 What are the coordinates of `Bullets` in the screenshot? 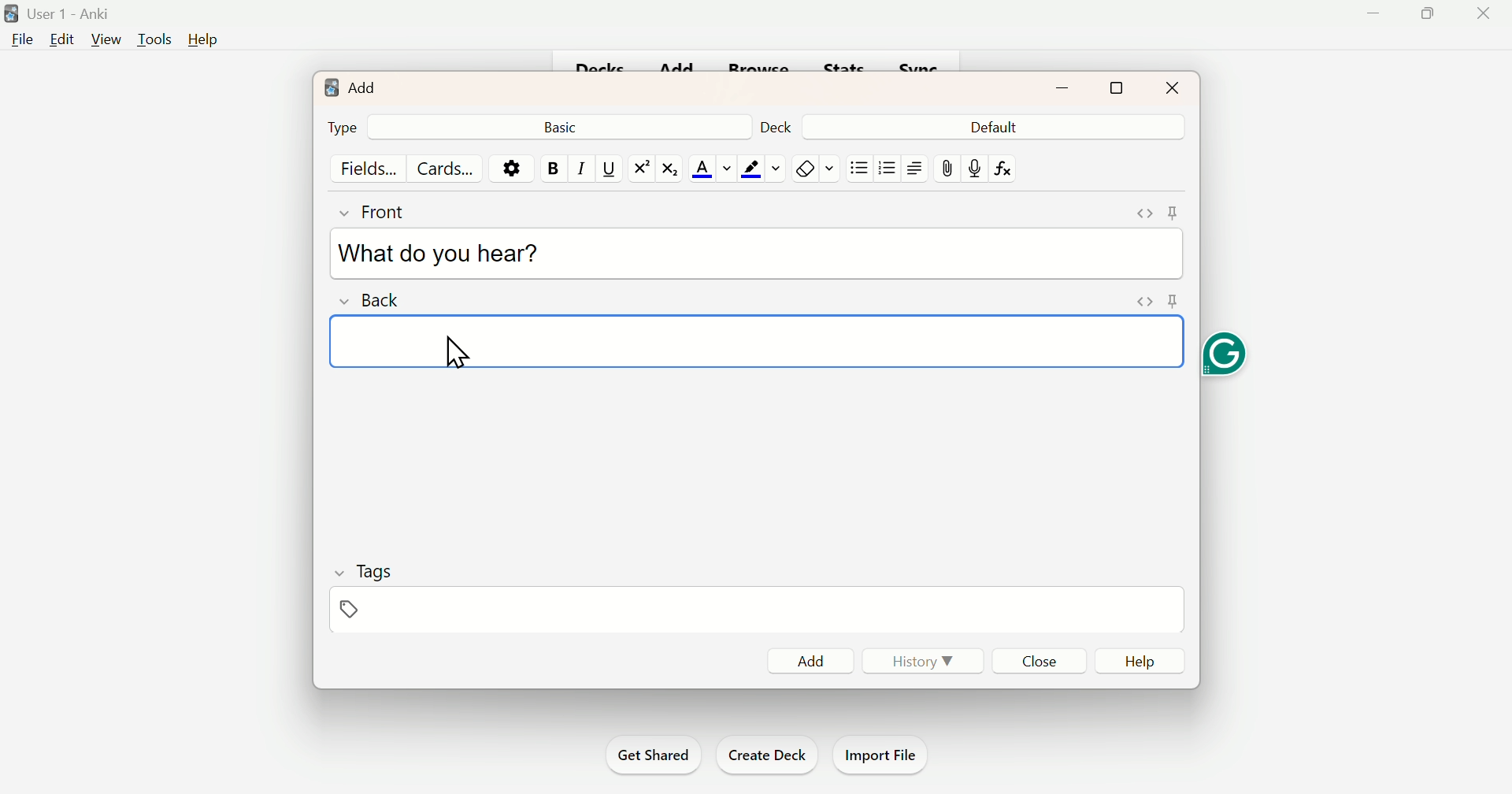 It's located at (861, 167).